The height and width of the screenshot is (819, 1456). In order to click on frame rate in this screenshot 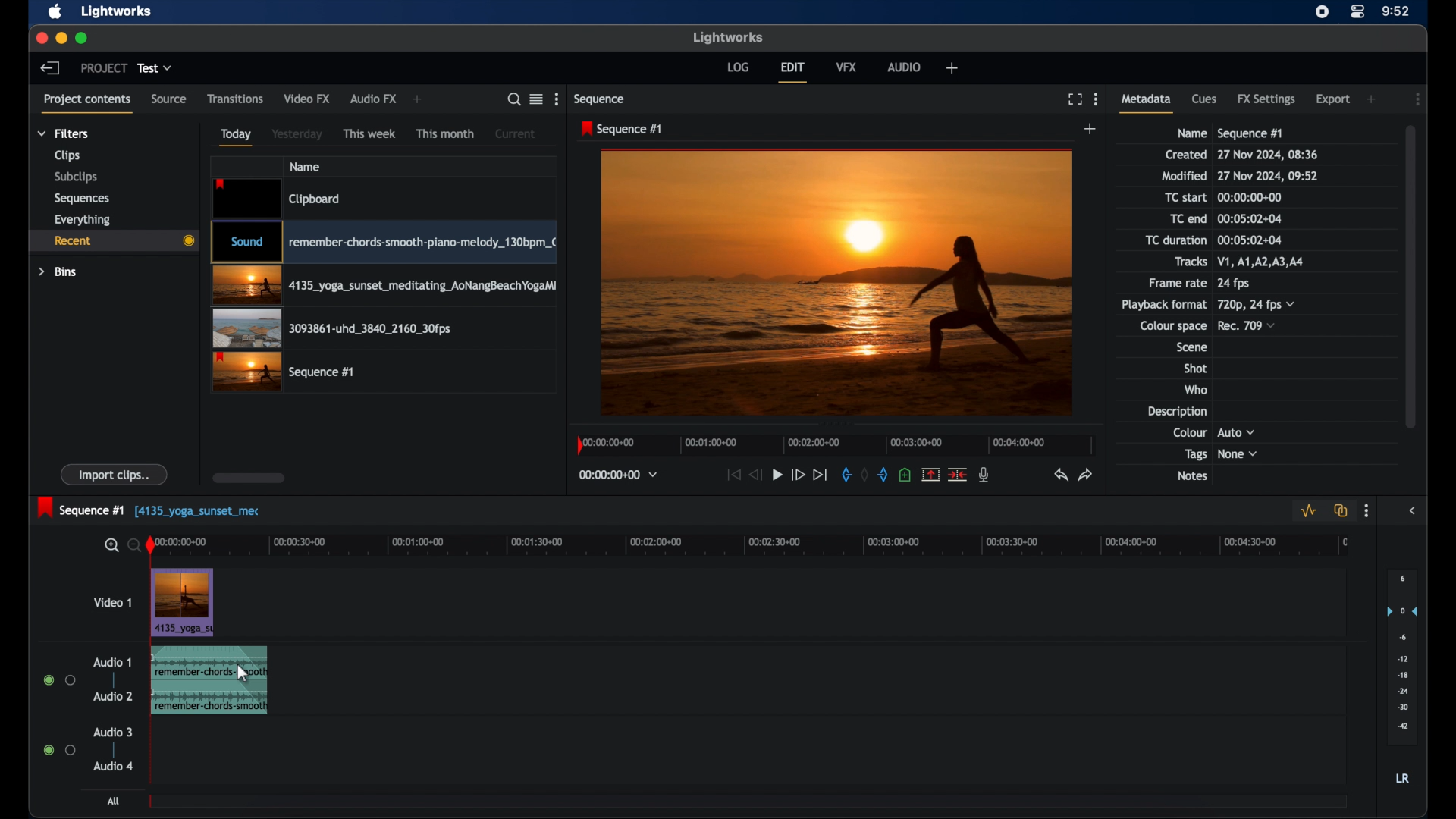, I will do `click(1175, 284)`.